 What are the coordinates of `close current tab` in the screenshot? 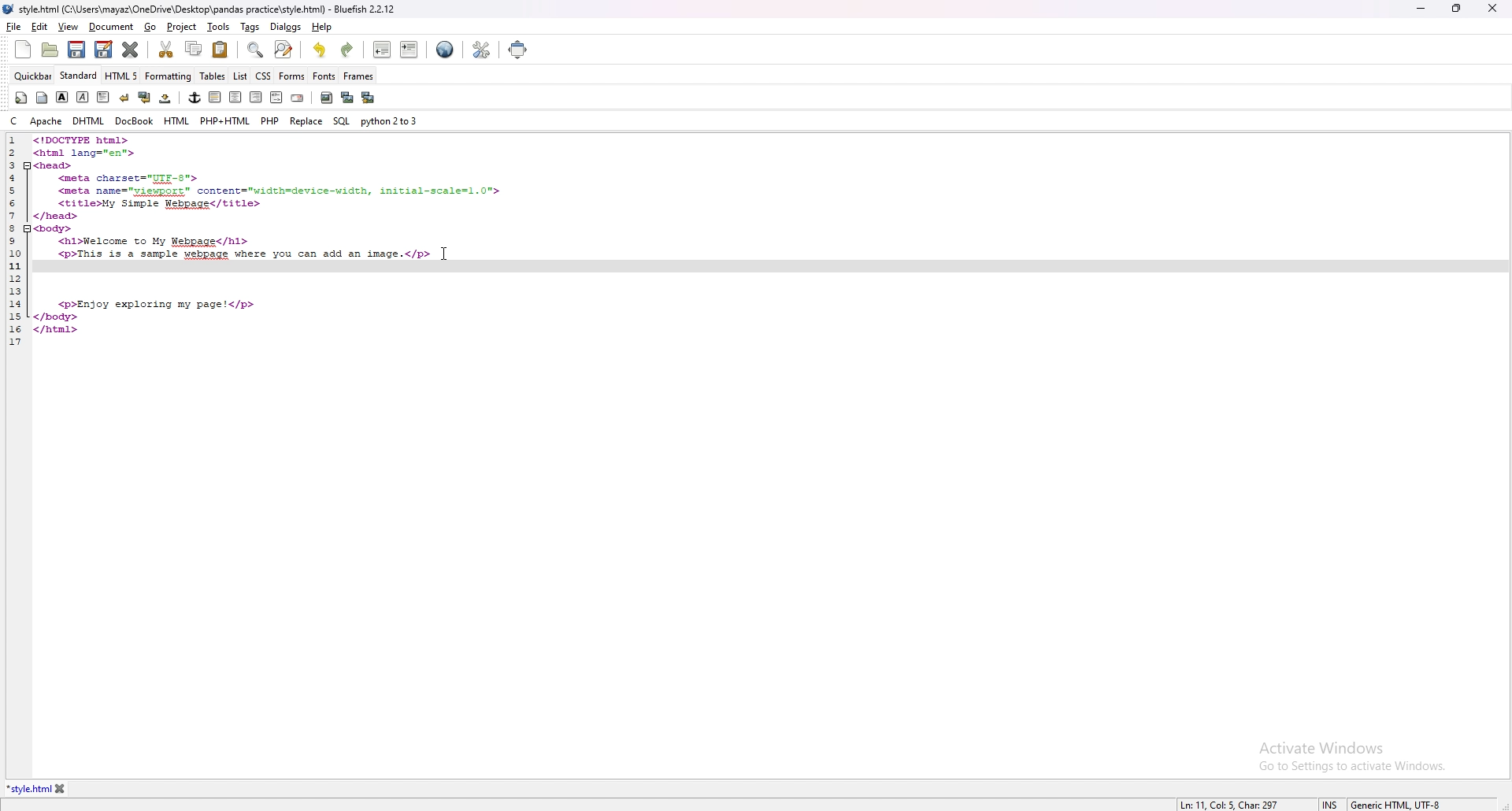 It's located at (132, 50).